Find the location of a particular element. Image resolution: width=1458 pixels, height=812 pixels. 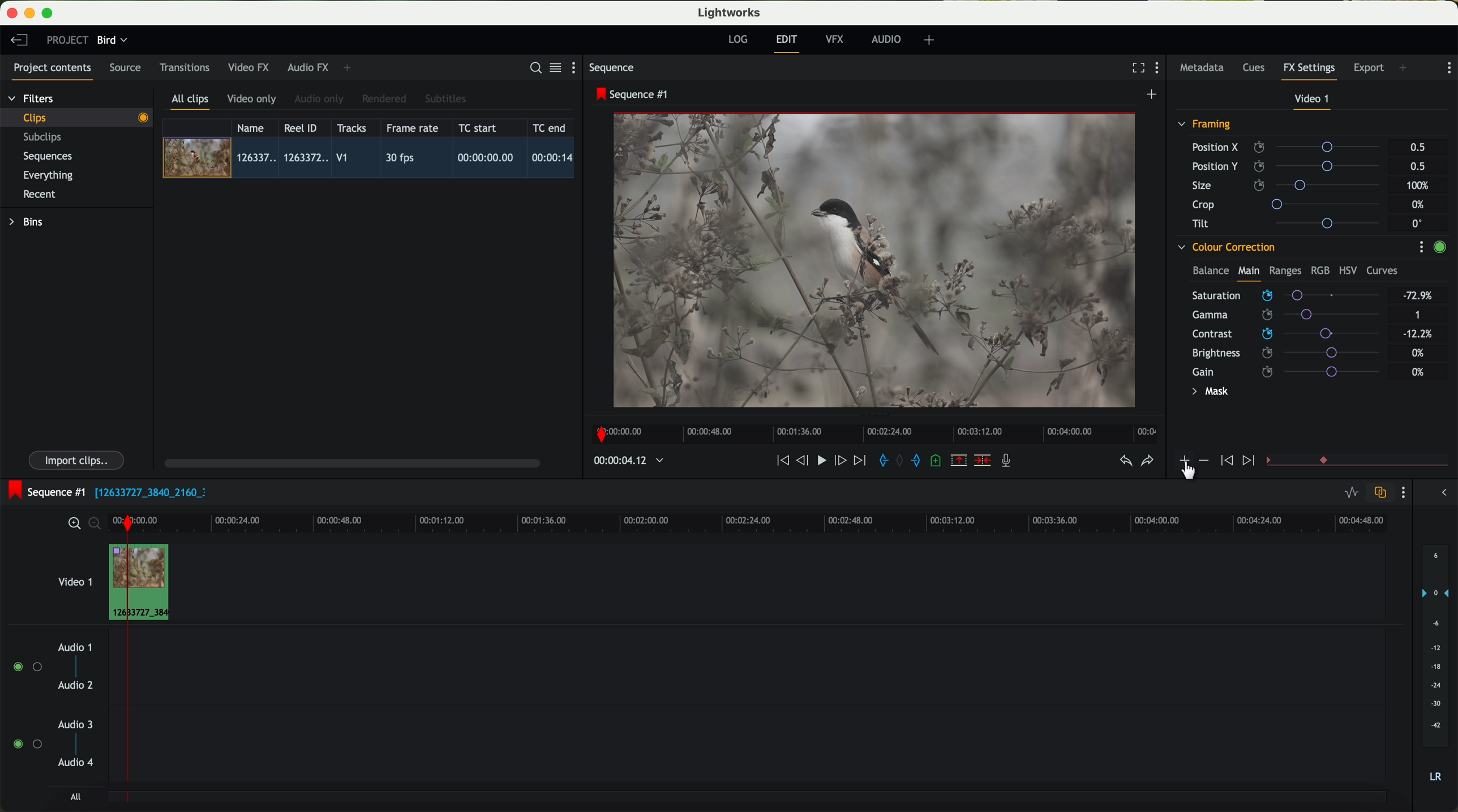

TC end is located at coordinates (550, 127).